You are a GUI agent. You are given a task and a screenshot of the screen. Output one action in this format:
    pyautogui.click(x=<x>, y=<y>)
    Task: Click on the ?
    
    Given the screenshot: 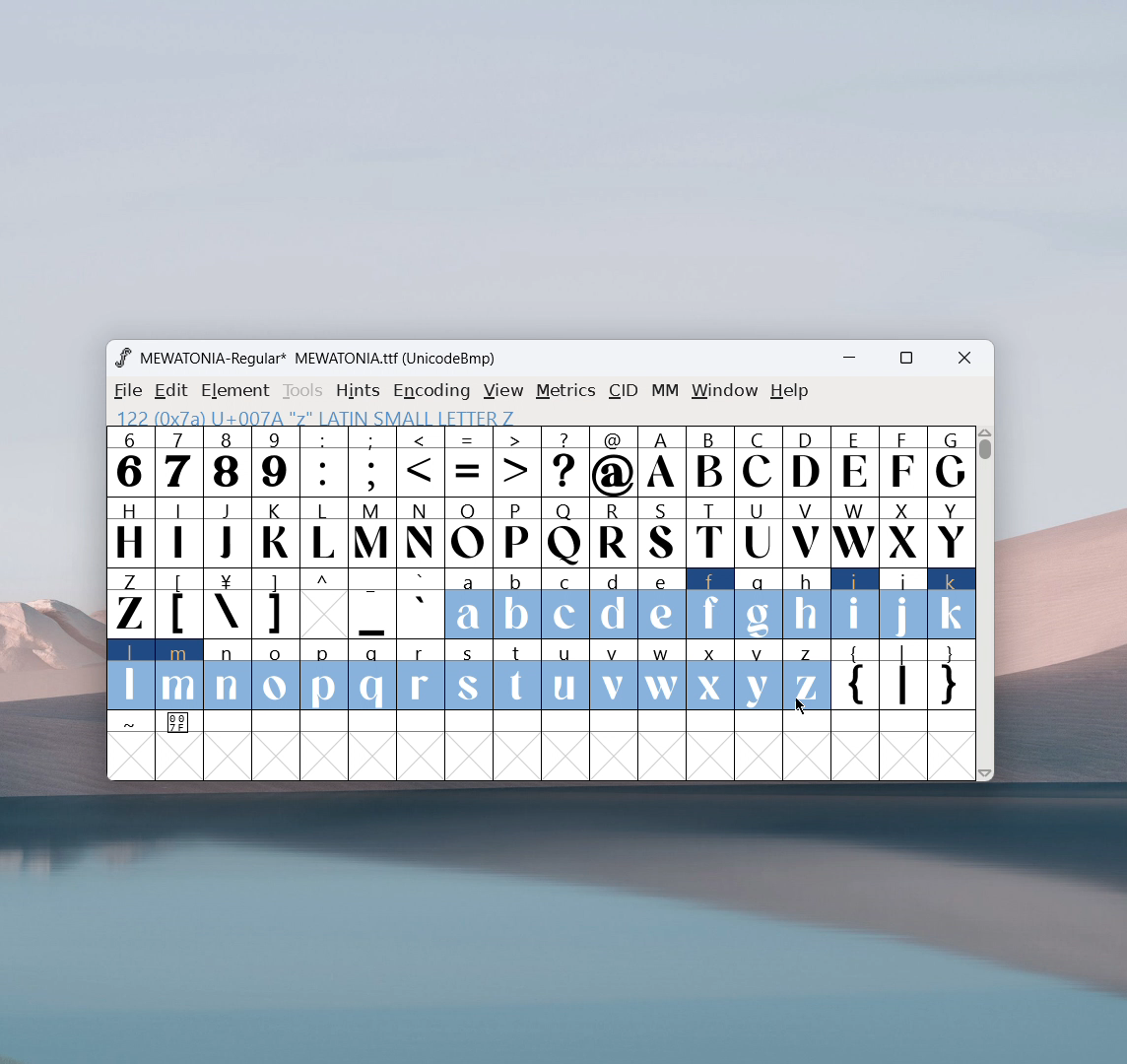 What is the action you would take?
    pyautogui.click(x=565, y=463)
    